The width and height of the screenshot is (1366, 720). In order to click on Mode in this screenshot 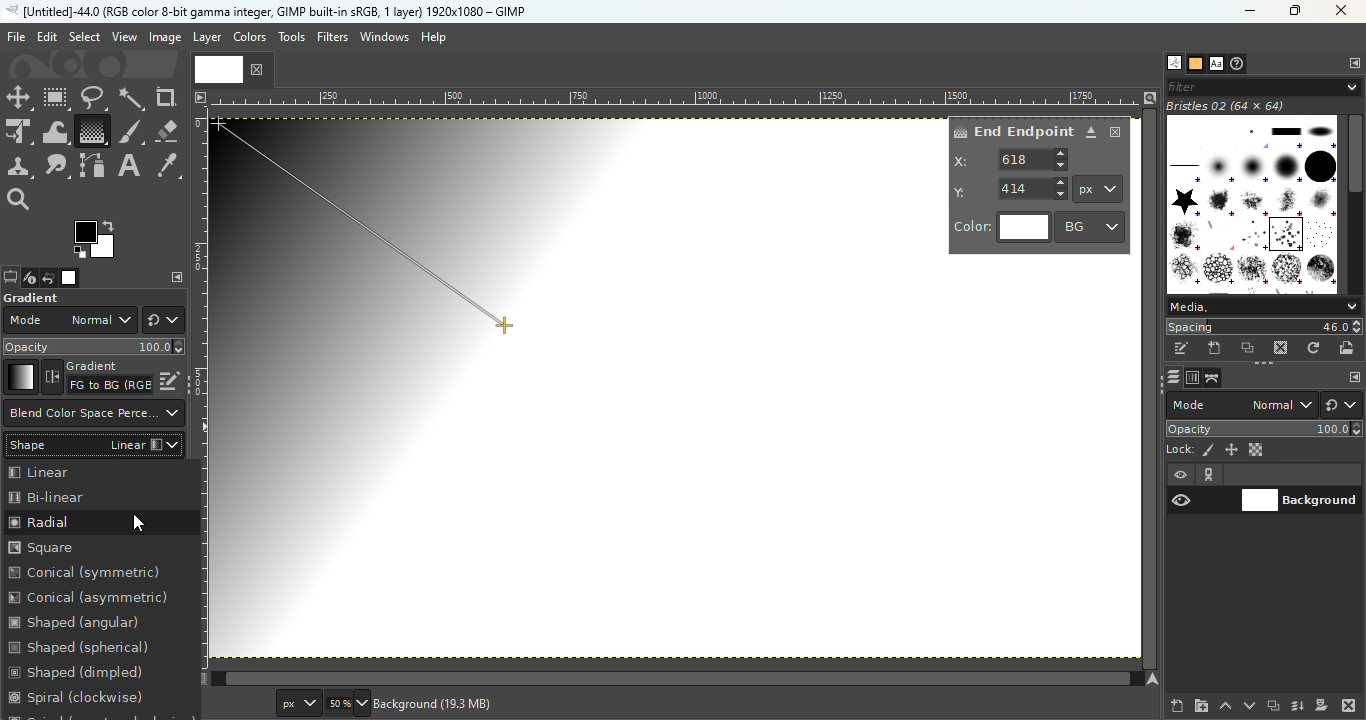, I will do `click(1242, 405)`.